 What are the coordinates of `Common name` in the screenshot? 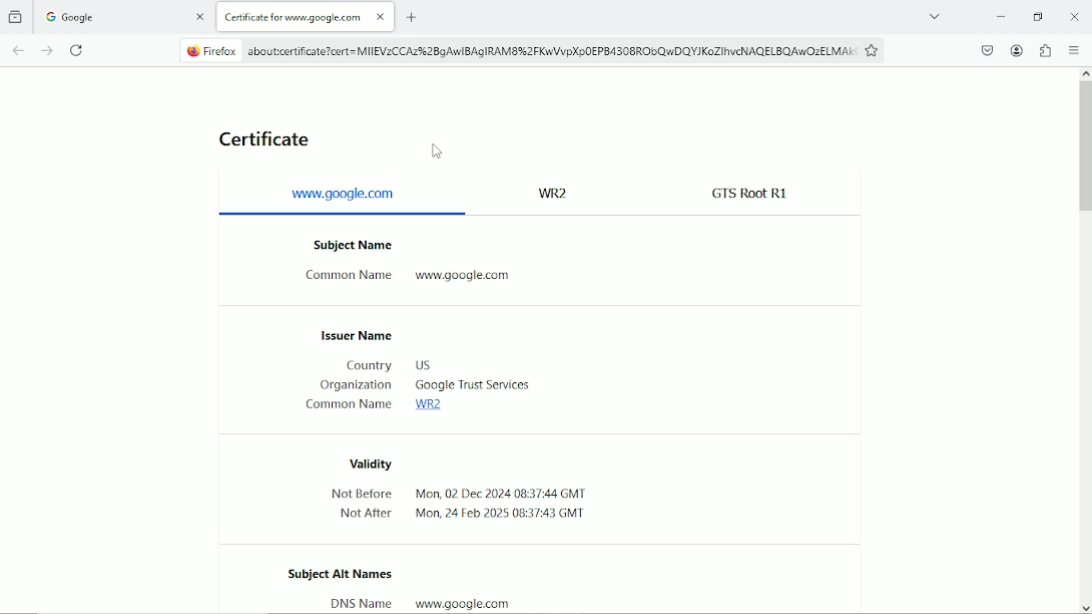 It's located at (345, 278).